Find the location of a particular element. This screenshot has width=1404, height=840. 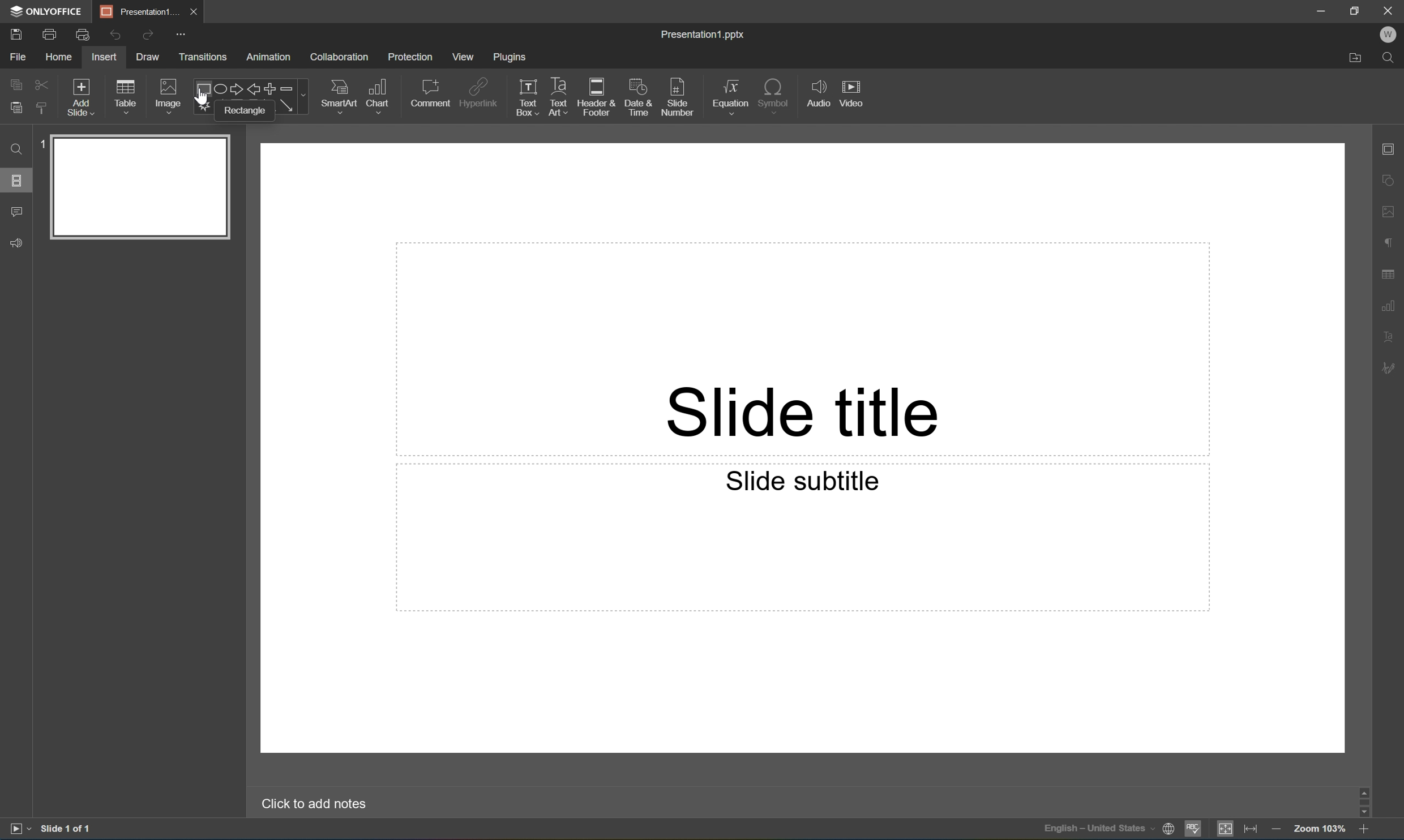

Hyperlink is located at coordinates (479, 91).